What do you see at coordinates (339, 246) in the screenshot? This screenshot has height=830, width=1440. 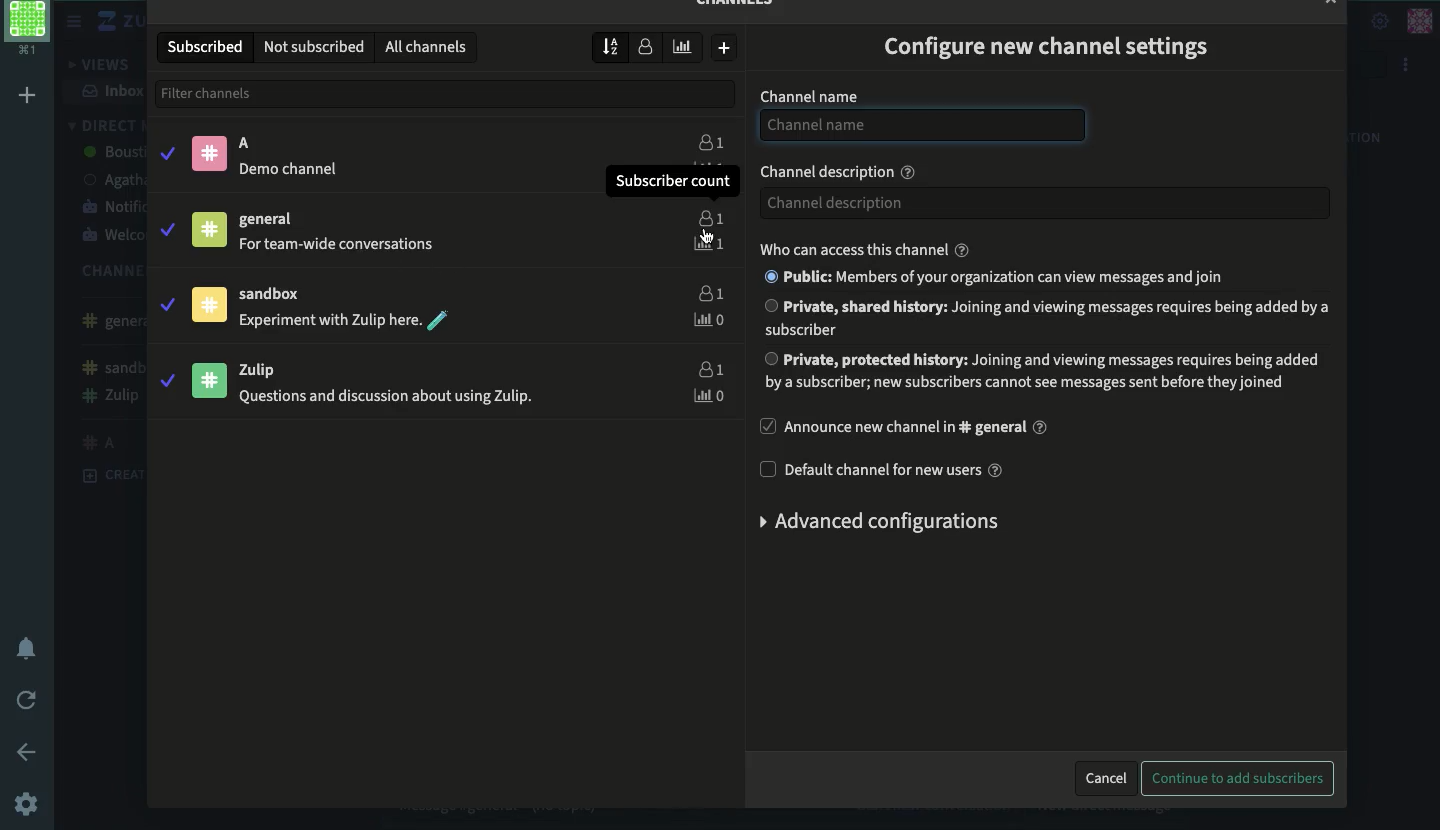 I see `For team-wide conversations` at bounding box center [339, 246].